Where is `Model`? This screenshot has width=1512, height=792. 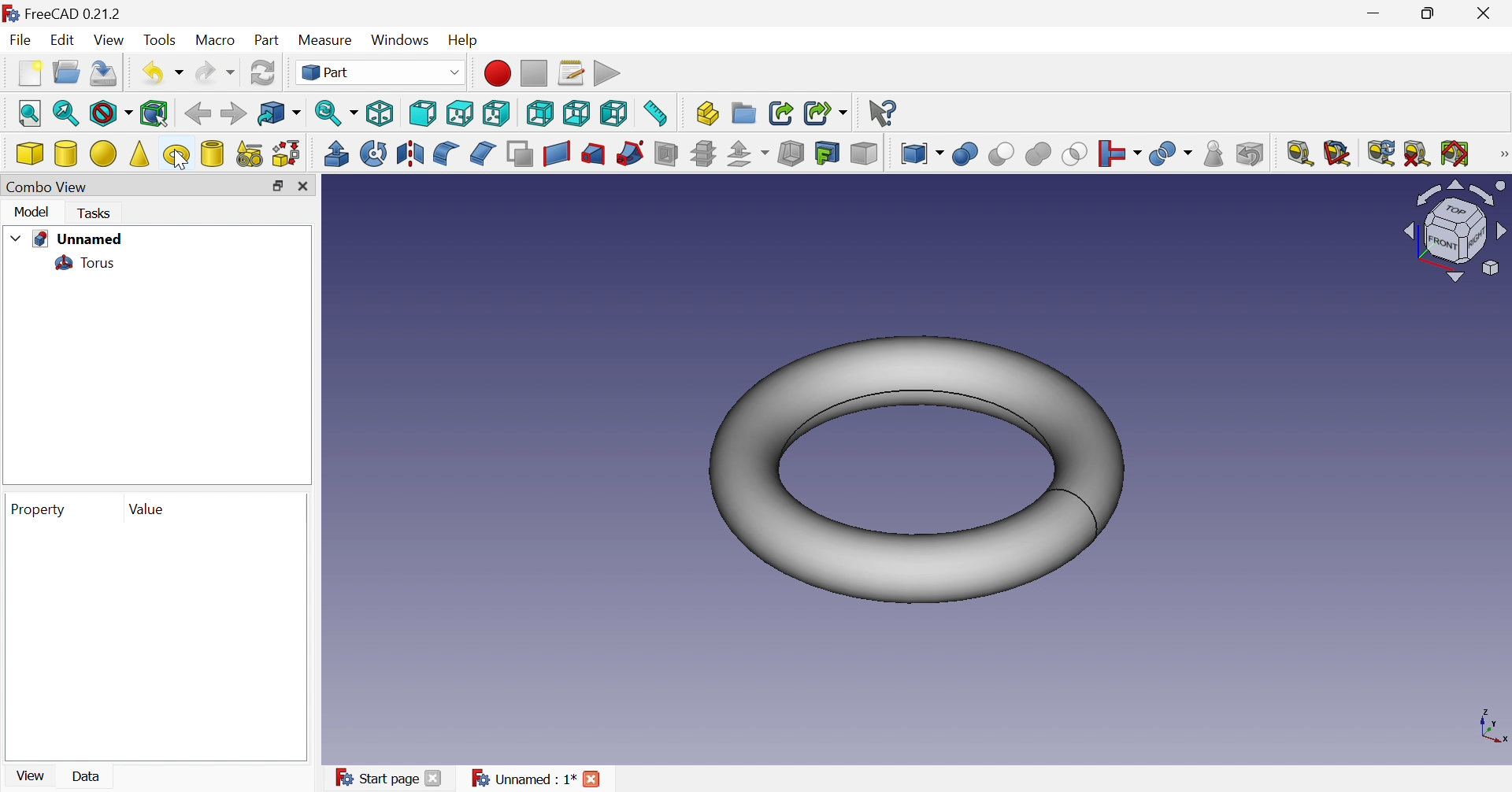
Model is located at coordinates (31, 211).